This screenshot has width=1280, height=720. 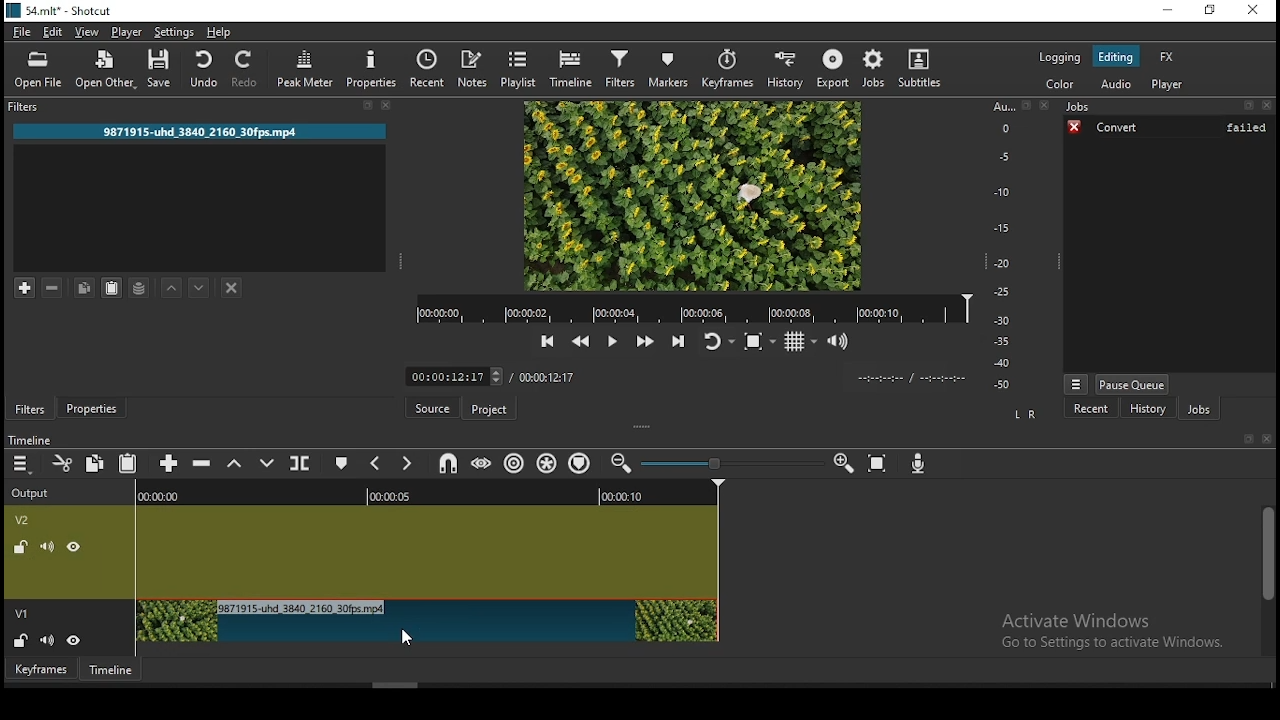 What do you see at coordinates (490, 410) in the screenshot?
I see `project` at bounding box center [490, 410].